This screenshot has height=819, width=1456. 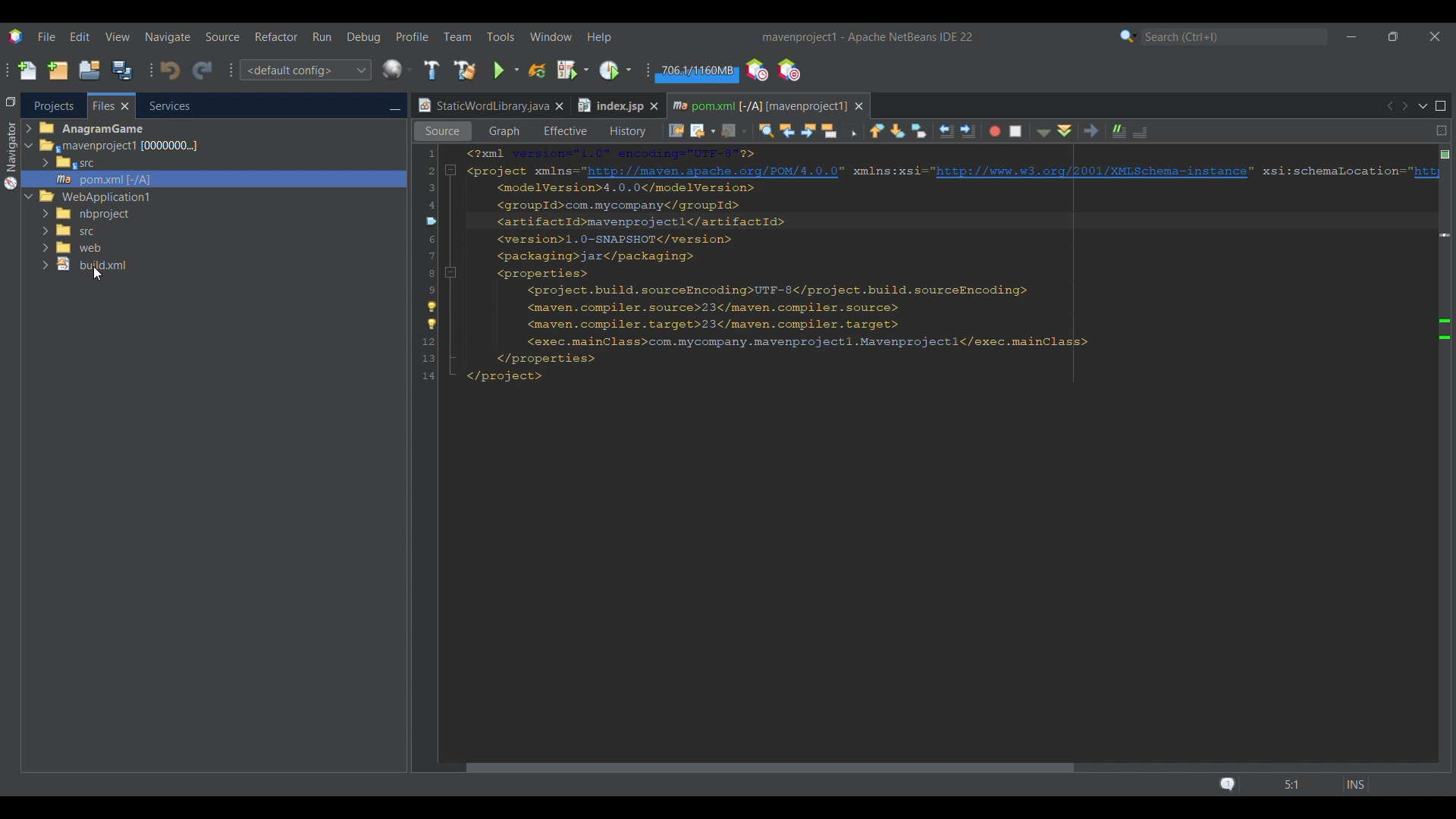 I want to click on Indicates bookmarked, so click(x=431, y=221).